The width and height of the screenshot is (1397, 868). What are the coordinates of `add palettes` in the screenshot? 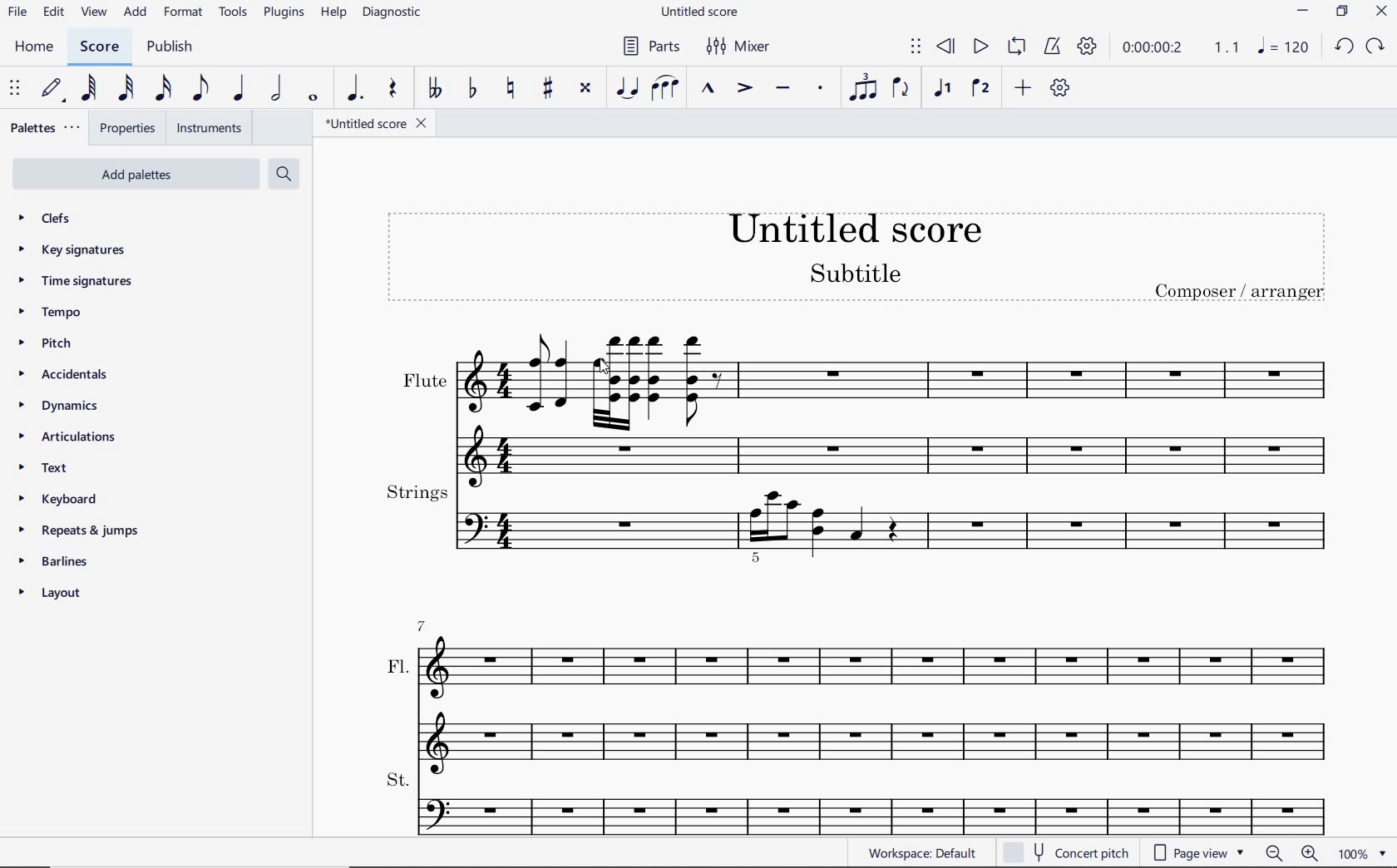 It's located at (136, 175).